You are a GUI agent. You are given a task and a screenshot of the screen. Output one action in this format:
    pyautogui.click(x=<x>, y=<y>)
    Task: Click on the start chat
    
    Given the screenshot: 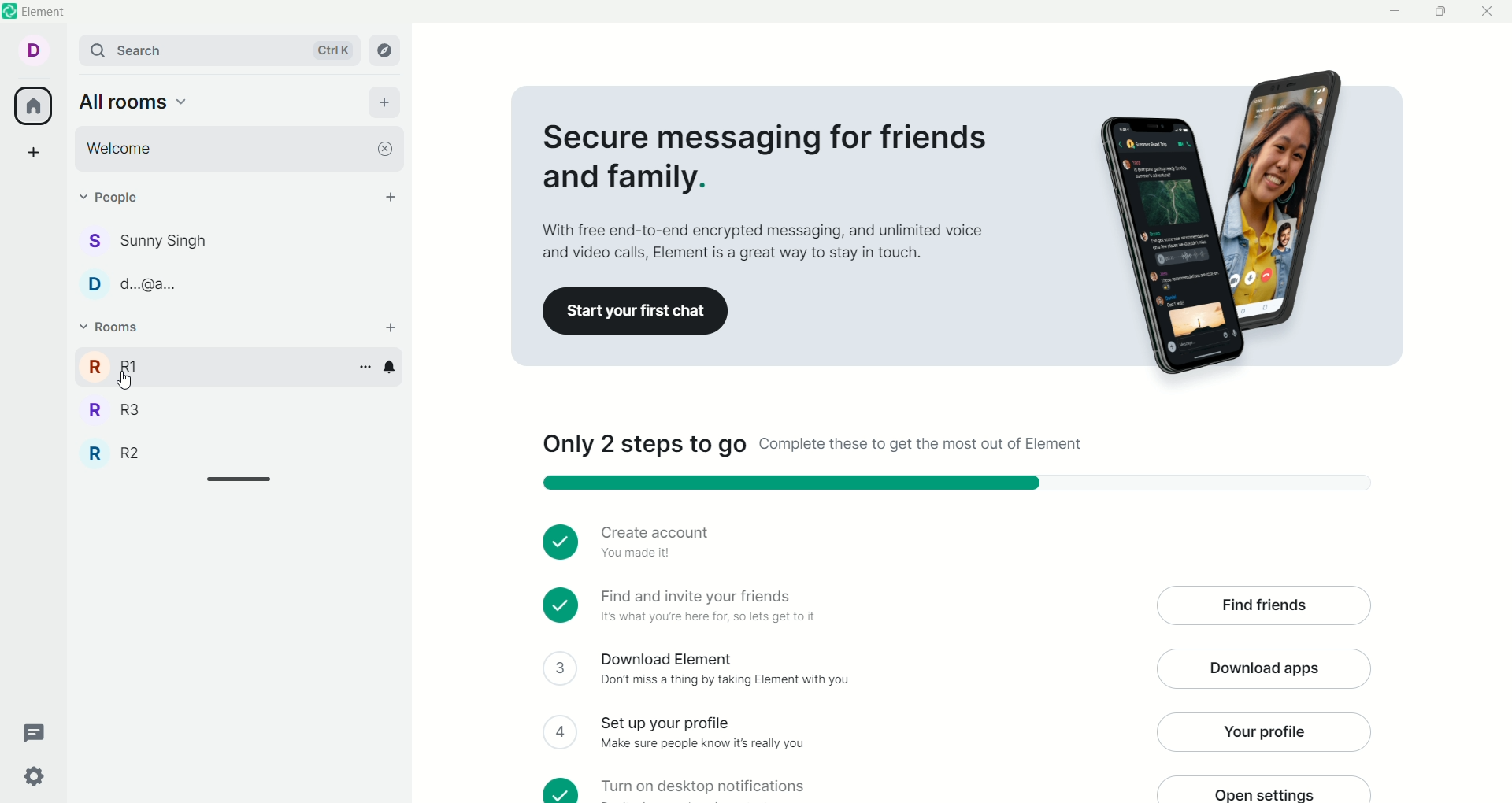 What is the action you would take?
    pyautogui.click(x=391, y=196)
    